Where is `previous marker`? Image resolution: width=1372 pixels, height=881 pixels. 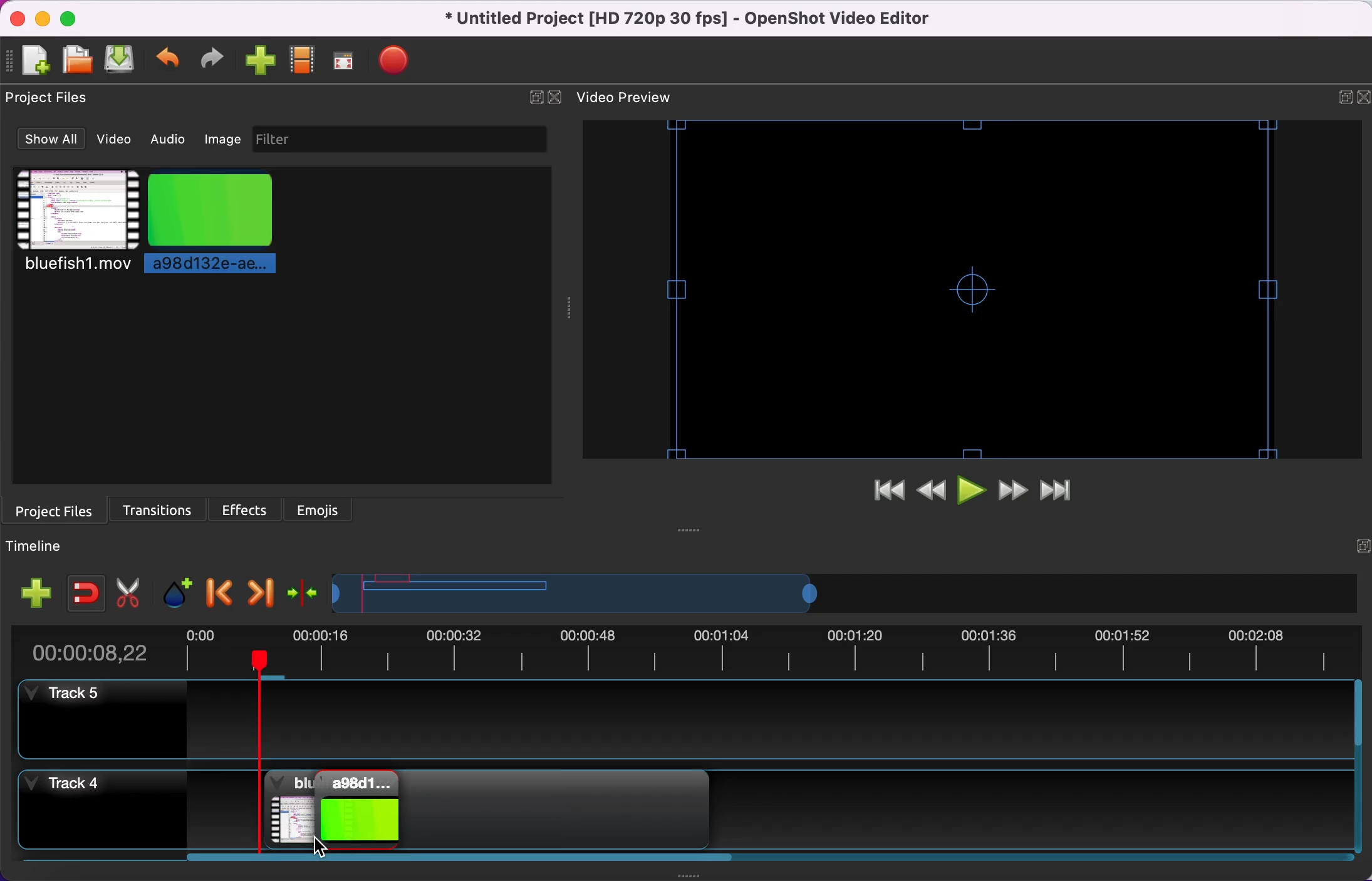
previous marker is located at coordinates (219, 591).